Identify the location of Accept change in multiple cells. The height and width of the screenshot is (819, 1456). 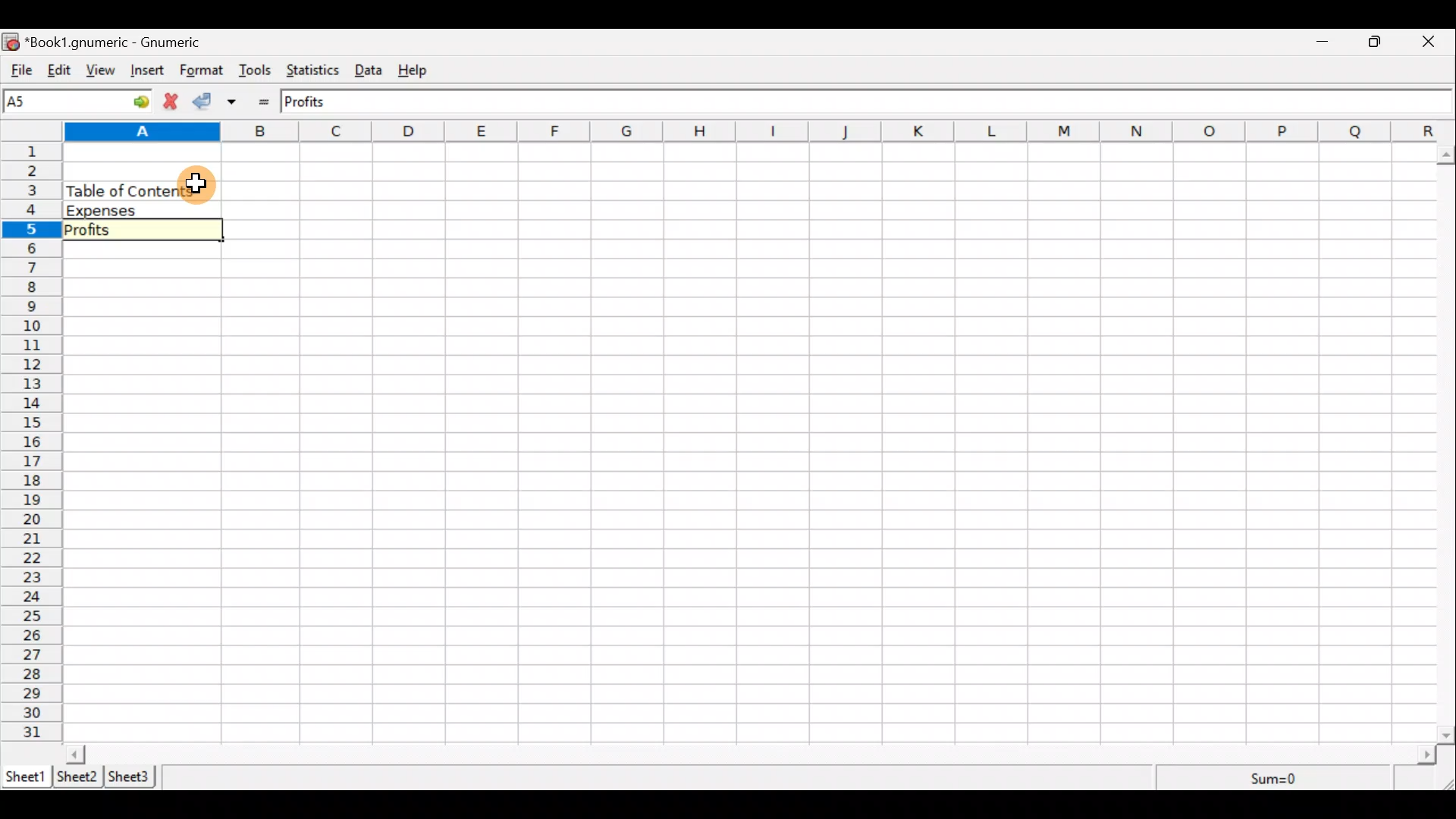
(237, 102).